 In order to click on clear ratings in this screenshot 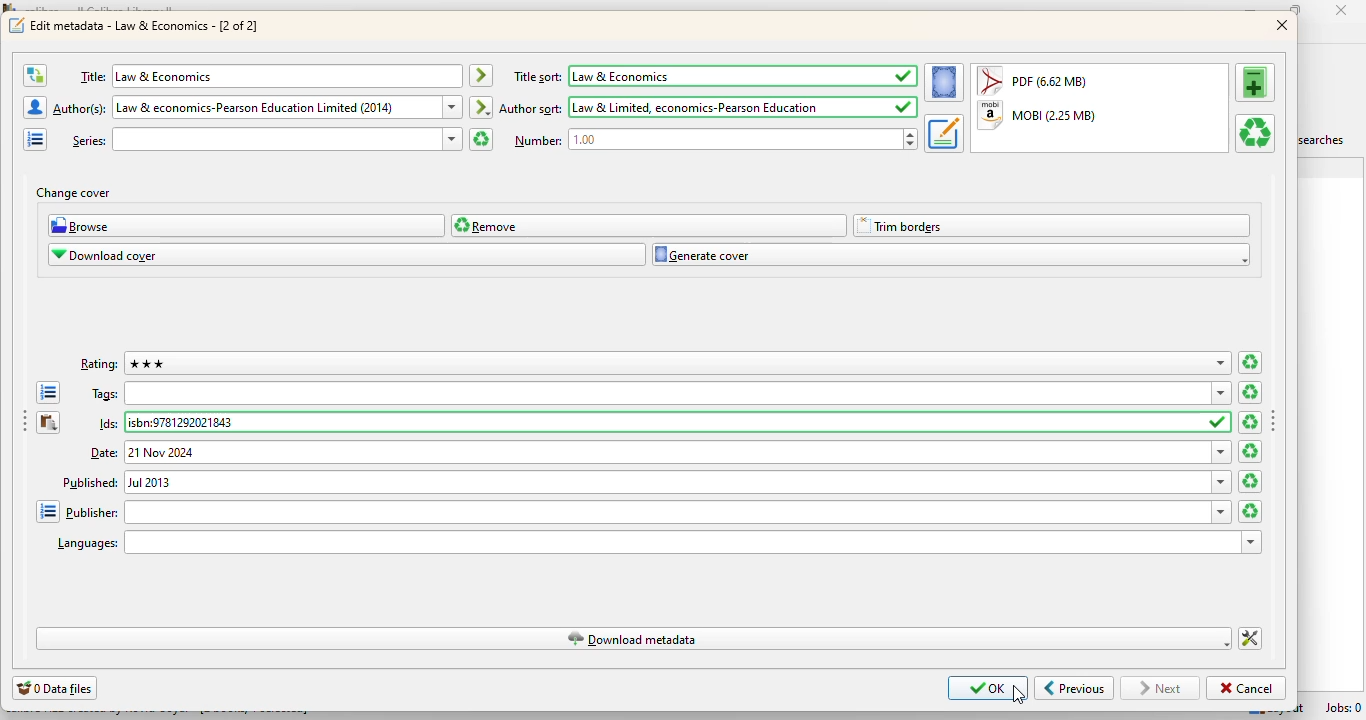, I will do `click(1250, 363)`.